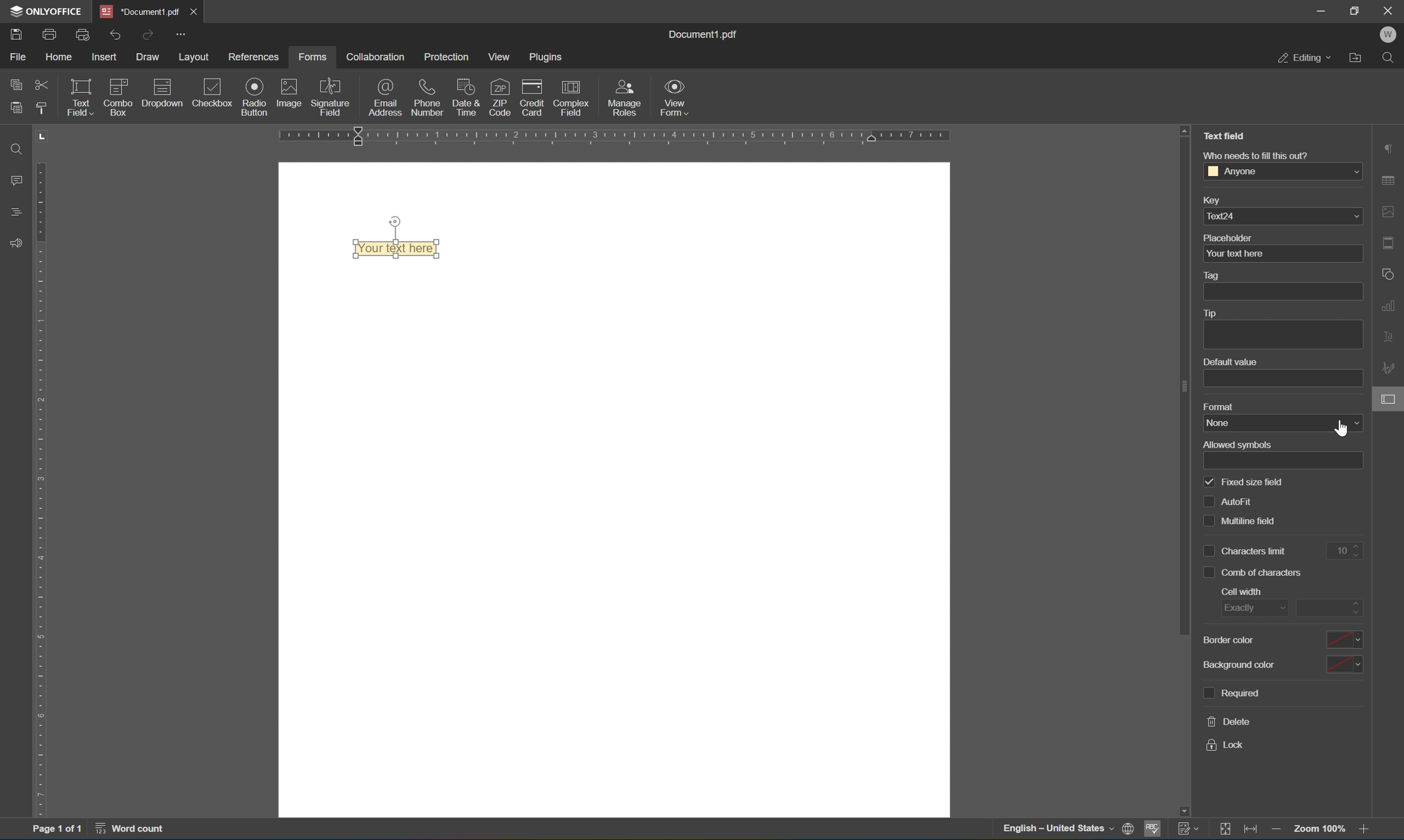 This screenshot has width=1404, height=840. What do you see at coordinates (1282, 292) in the screenshot?
I see `add tag` at bounding box center [1282, 292].